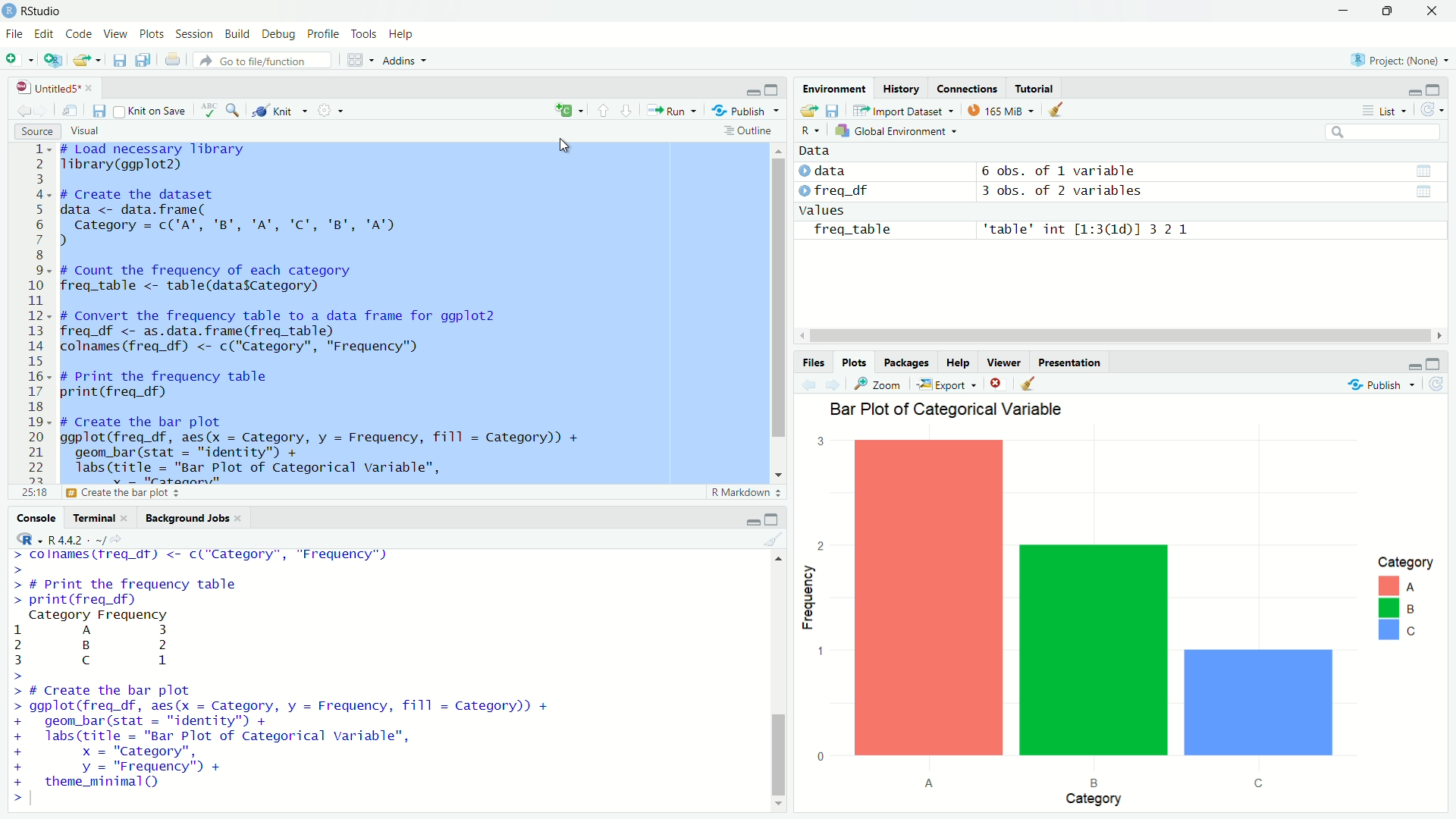 The width and height of the screenshot is (1456, 819). Describe the element at coordinates (266, 60) in the screenshot. I see `Go to file/function` at that location.